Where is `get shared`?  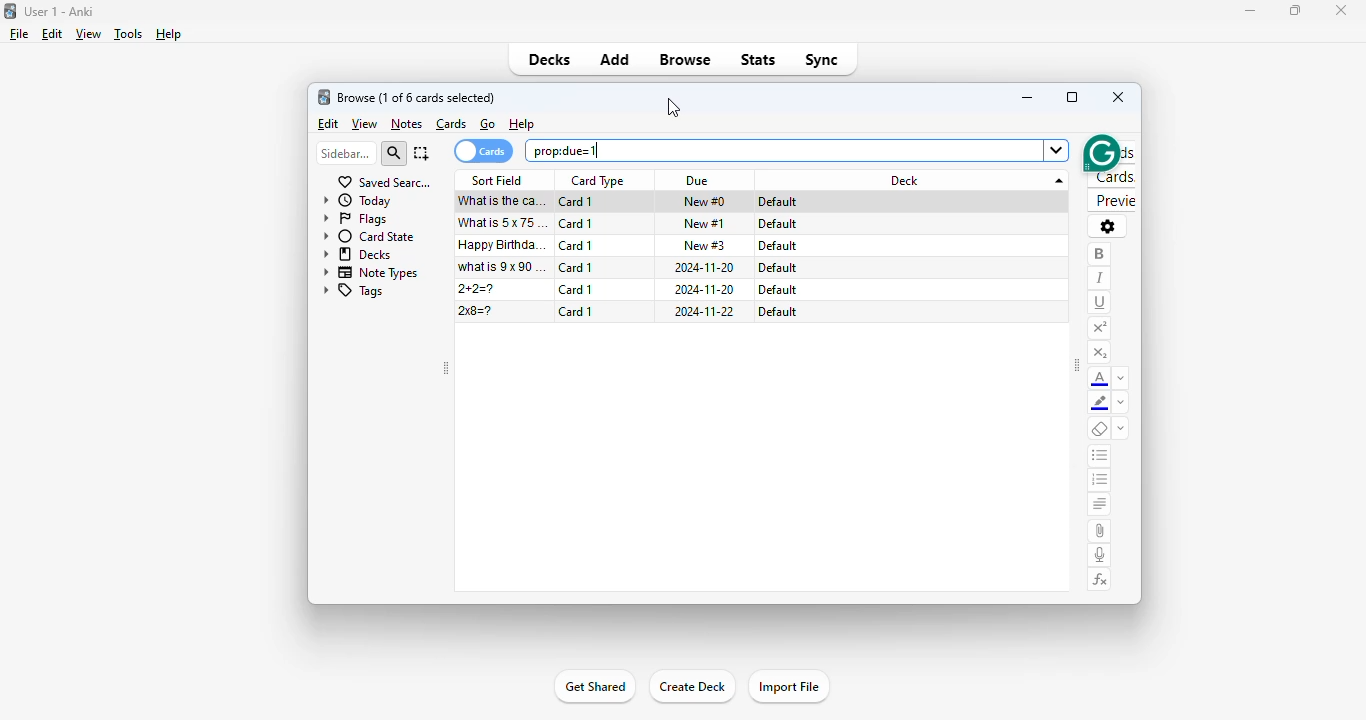 get shared is located at coordinates (594, 687).